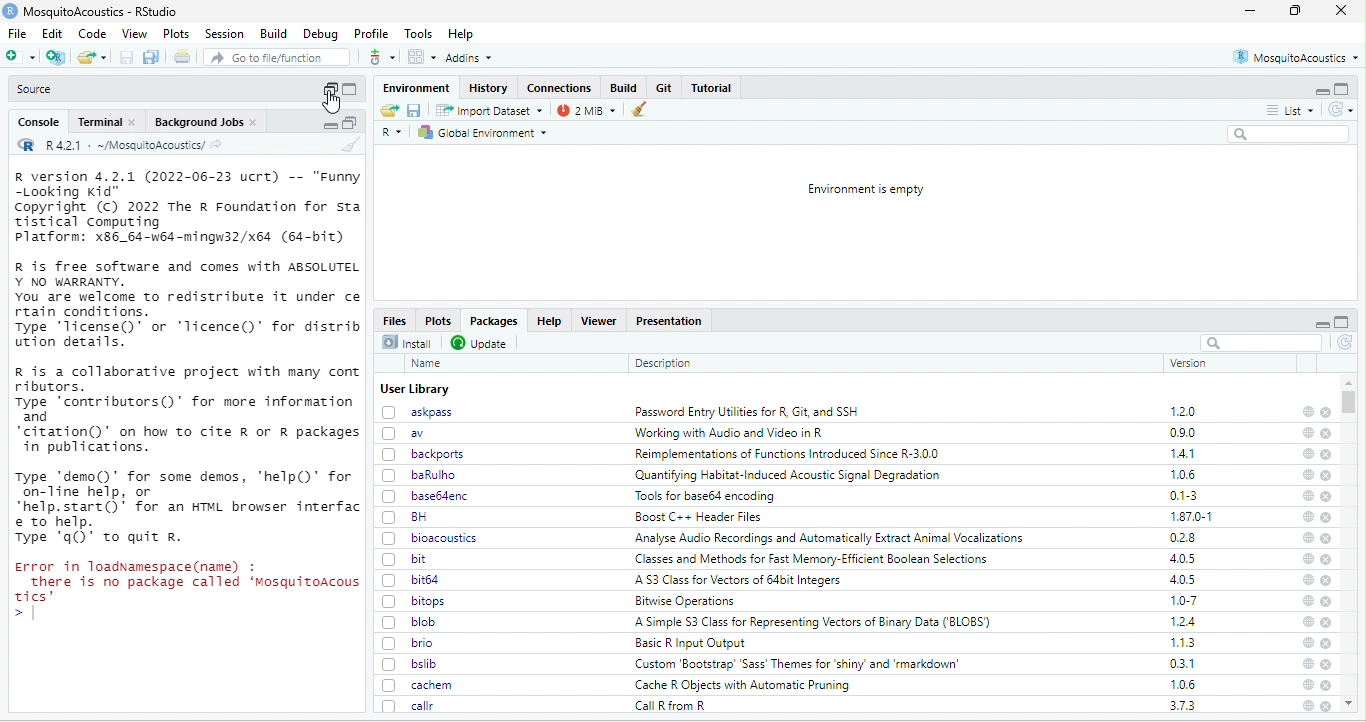 This screenshot has height=722, width=1366. What do you see at coordinates (1184, 412) in the screenshot?
I see `1.2.0` at bounding box center [1184, 412].